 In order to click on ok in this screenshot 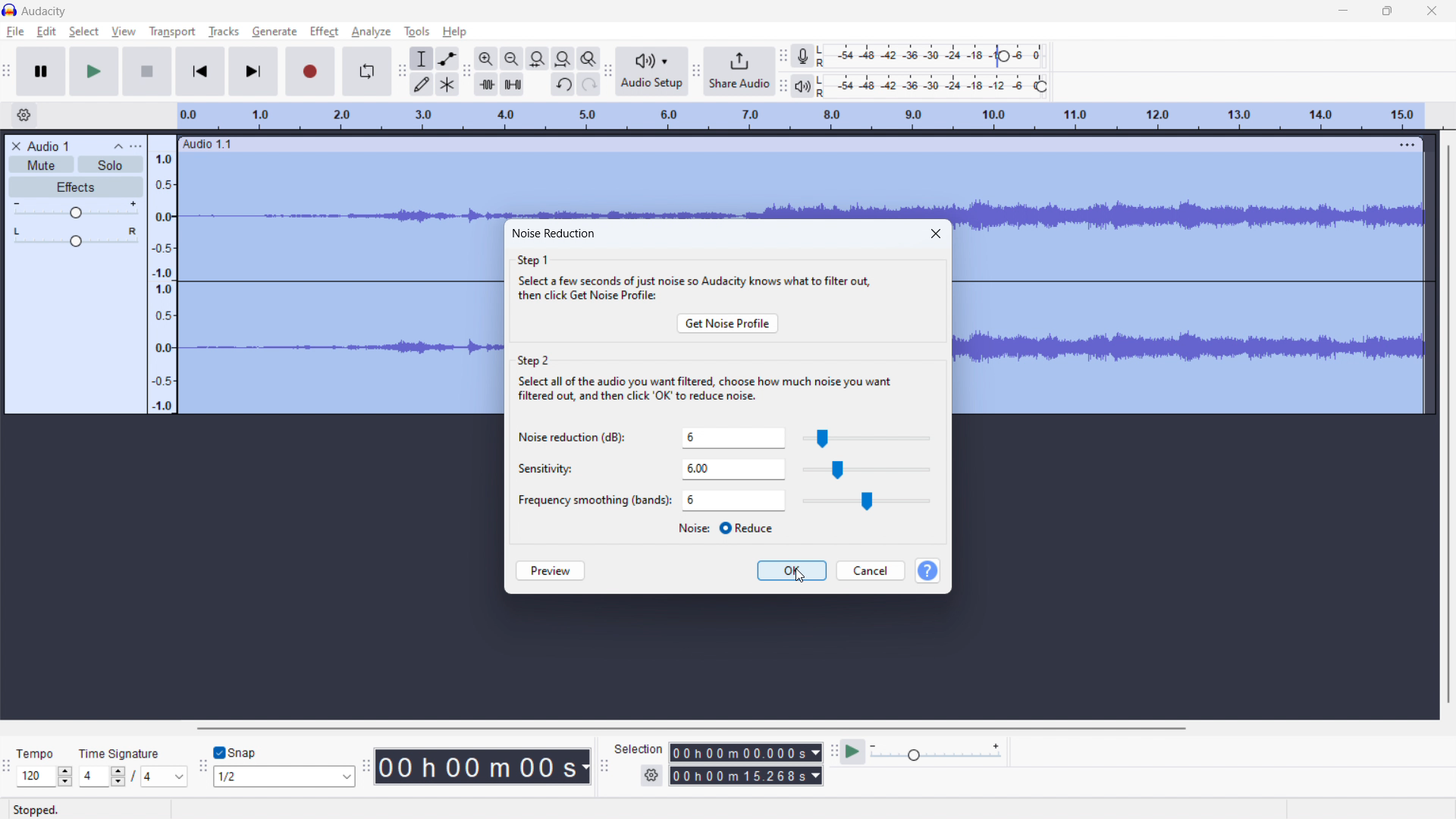, I will do `click(791, 570)`.